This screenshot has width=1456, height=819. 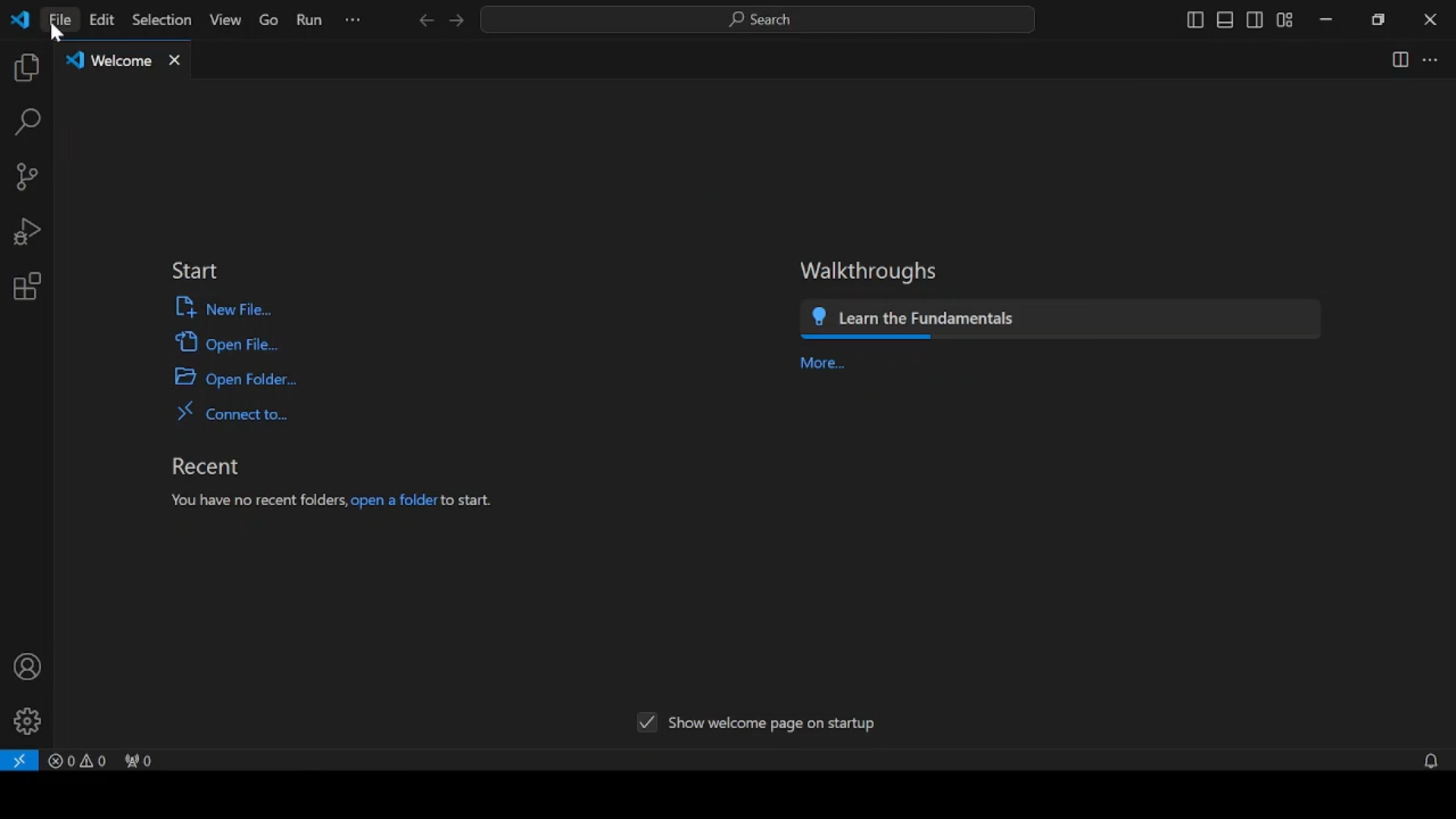 What do you see at coordinates (824, 363) in the screenshot?
I see `more` at bounding box center [824, 363].